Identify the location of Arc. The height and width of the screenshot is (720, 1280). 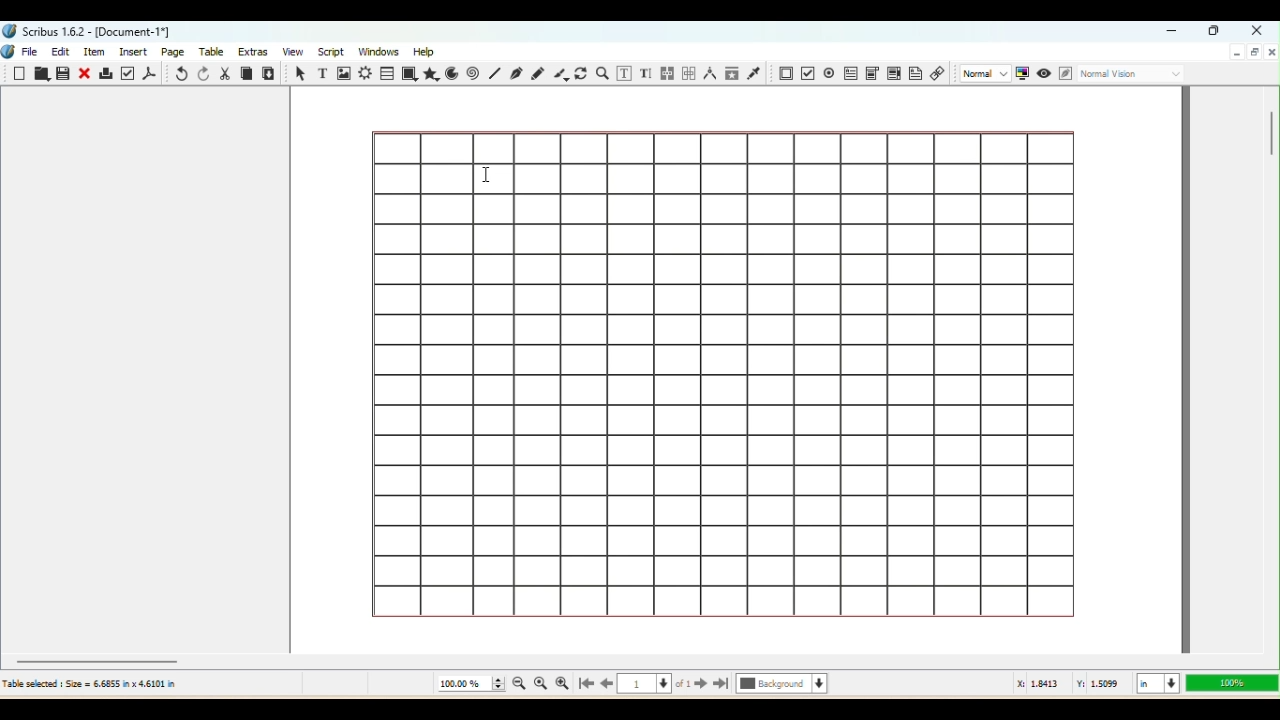
(454, 73).